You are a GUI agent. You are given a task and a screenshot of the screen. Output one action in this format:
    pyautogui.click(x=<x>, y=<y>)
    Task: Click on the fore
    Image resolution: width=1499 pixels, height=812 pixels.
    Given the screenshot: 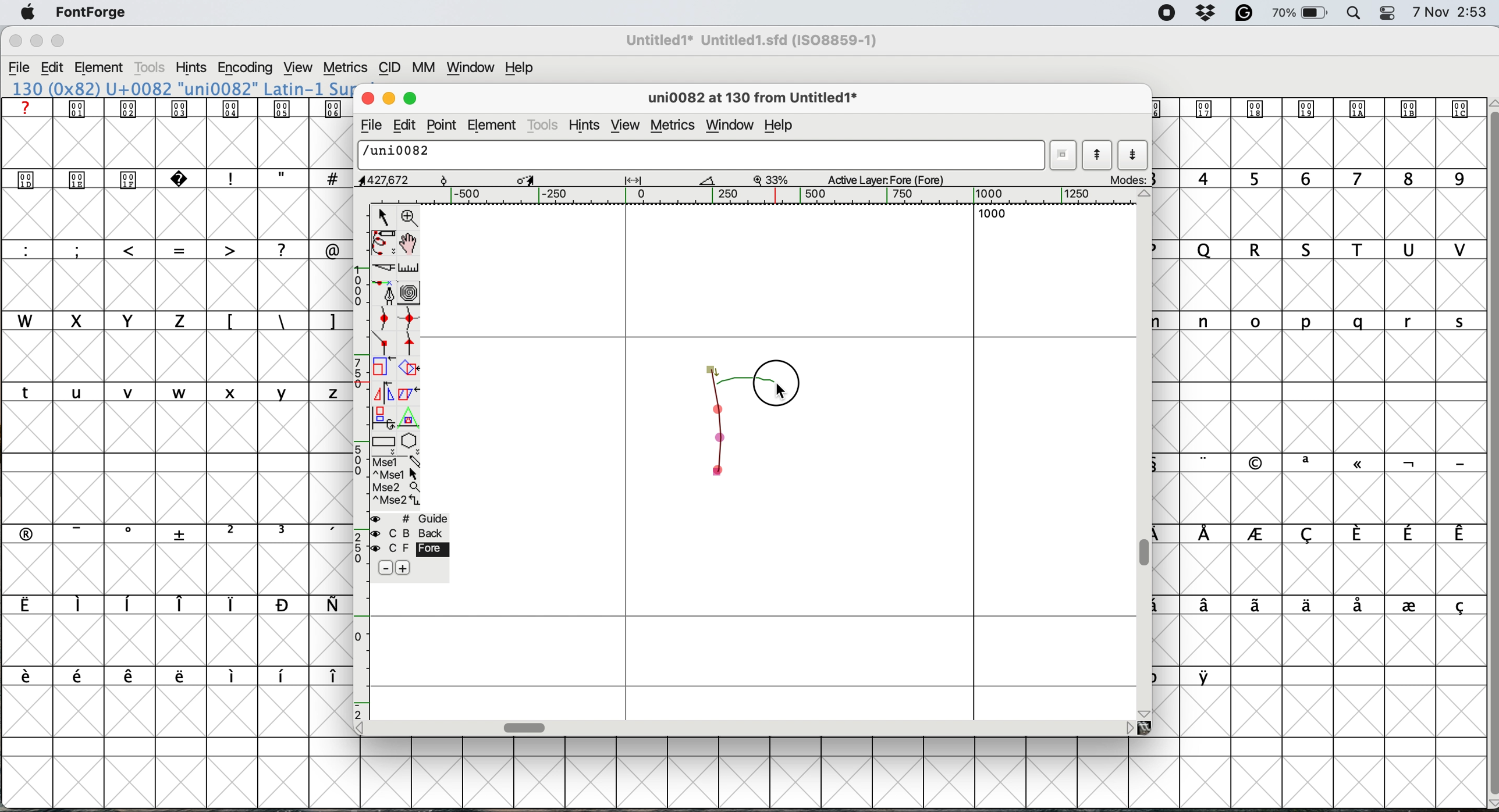 What is the action you would take?
    pyautogui.click(x=408, y=550)
    